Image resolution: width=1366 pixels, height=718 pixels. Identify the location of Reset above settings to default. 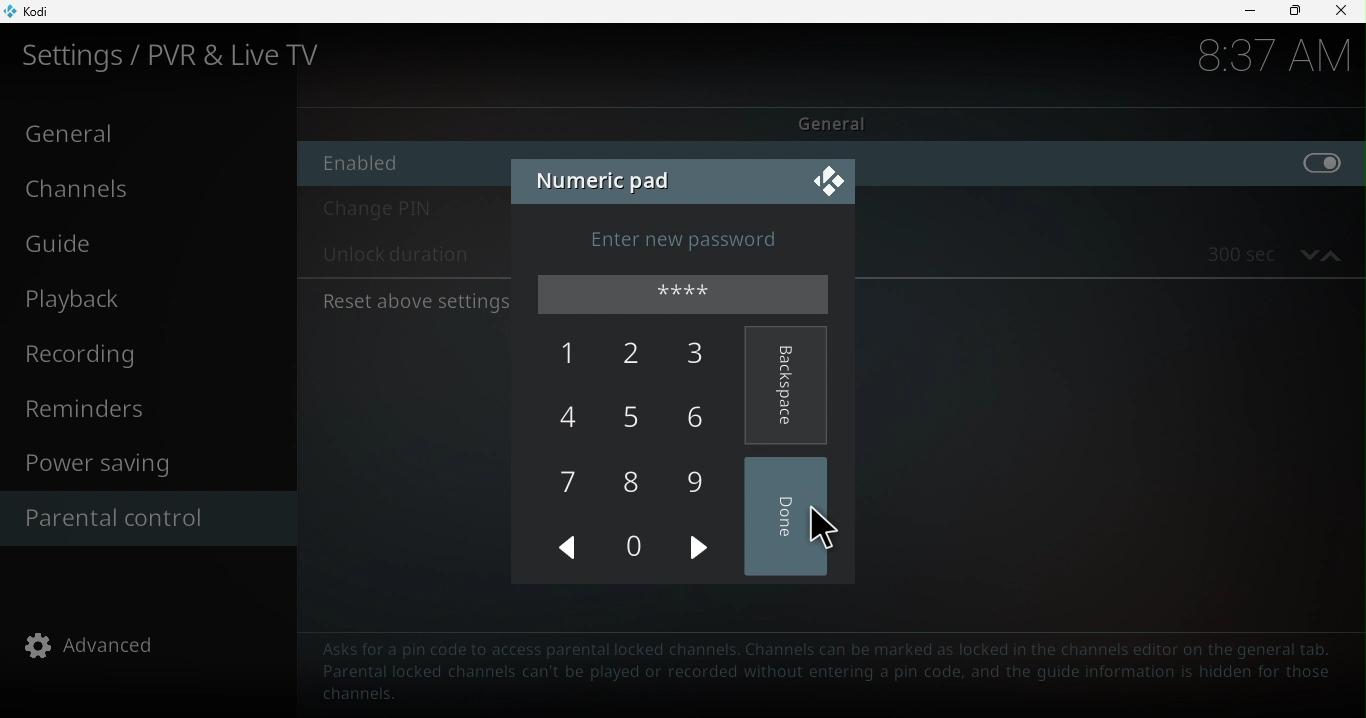
(414, 302).